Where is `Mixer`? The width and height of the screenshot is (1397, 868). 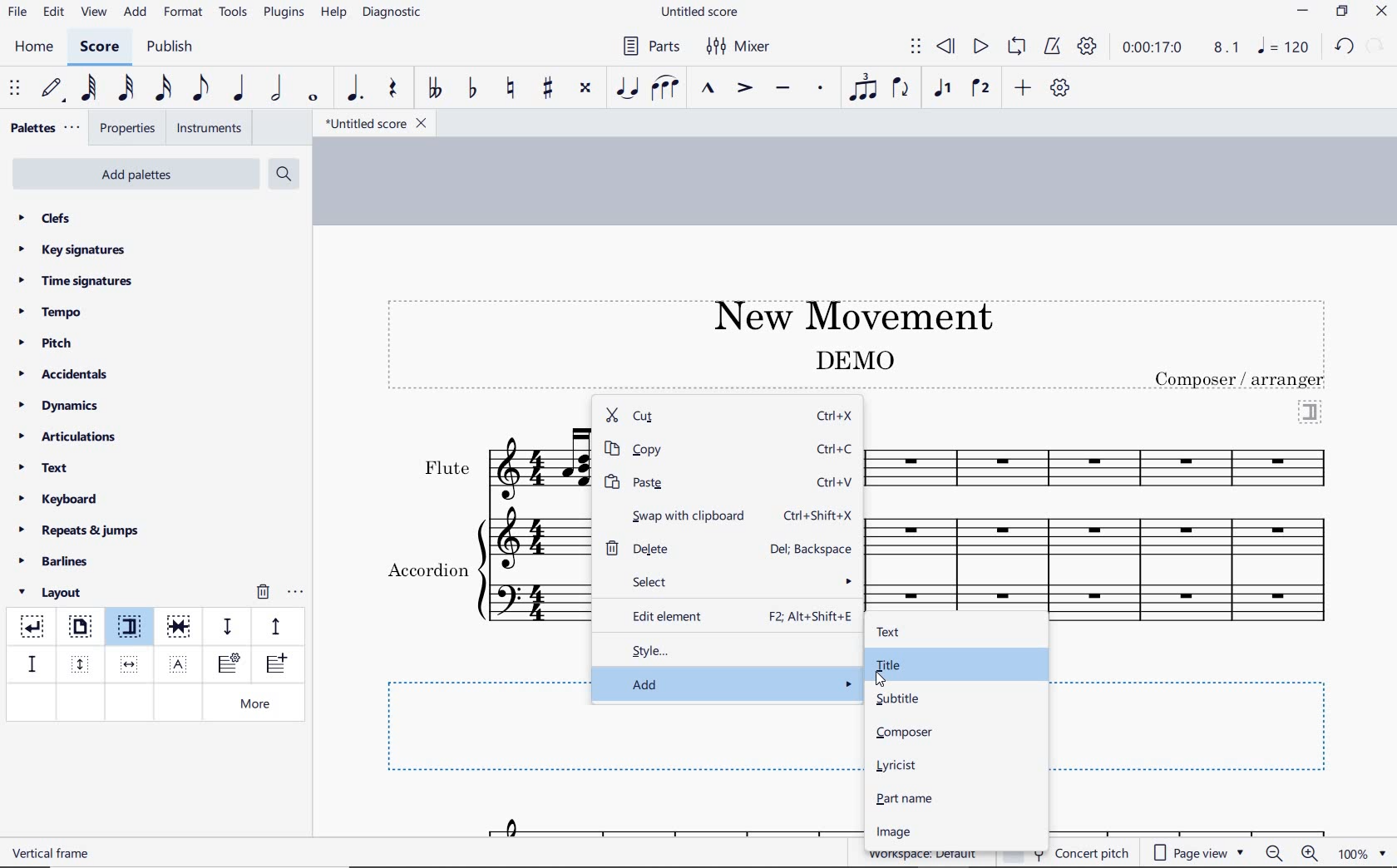 Mixer is located at coordinates (739, 47).